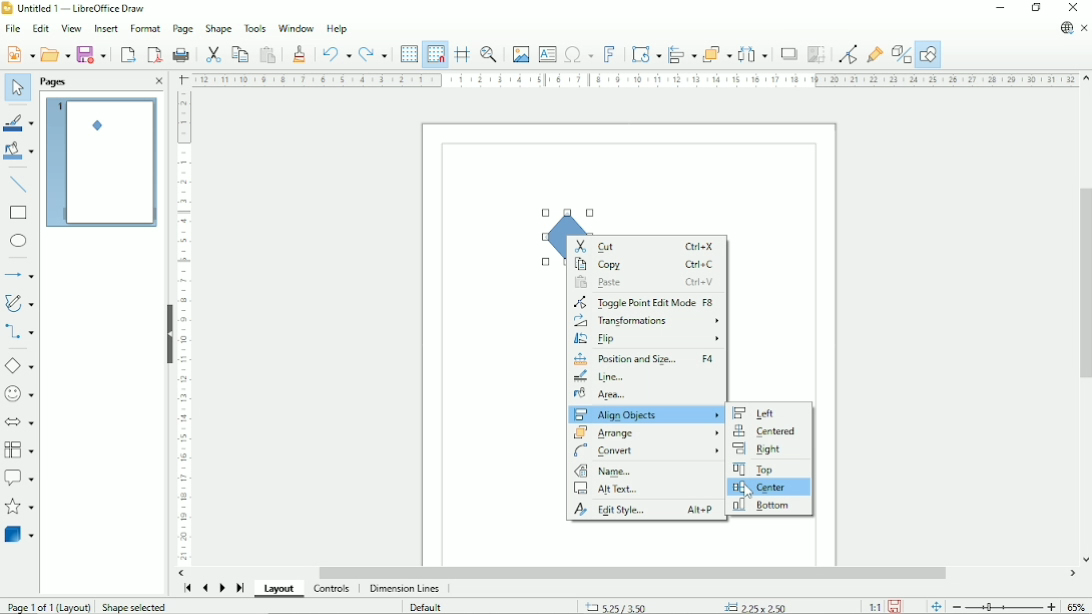 This screenshot has width=1092, height=614. I want to click on Bottom, so click(762, 506).